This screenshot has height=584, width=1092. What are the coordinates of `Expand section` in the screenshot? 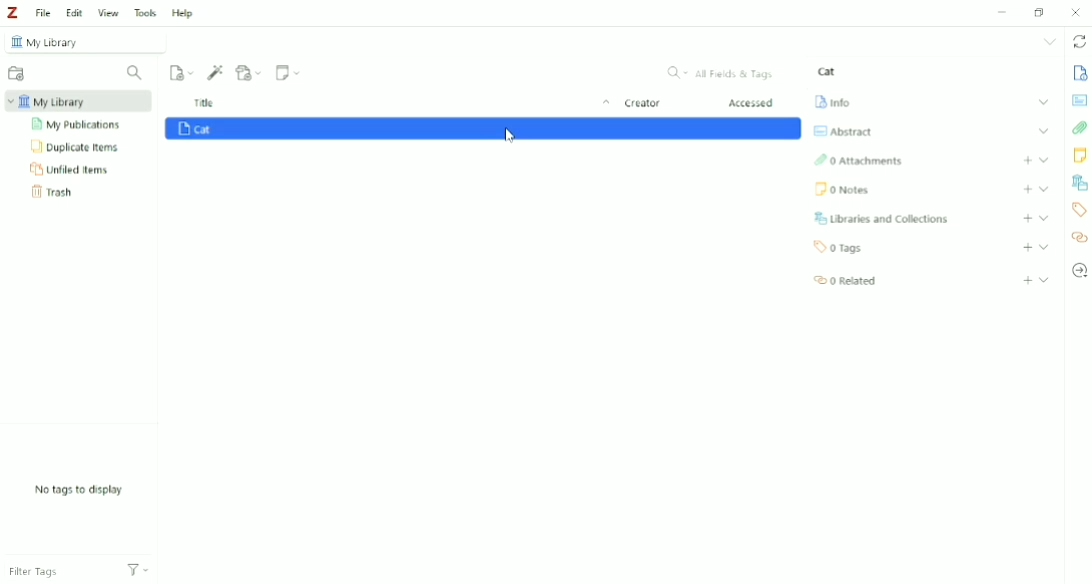 It's located at (1045, 130).